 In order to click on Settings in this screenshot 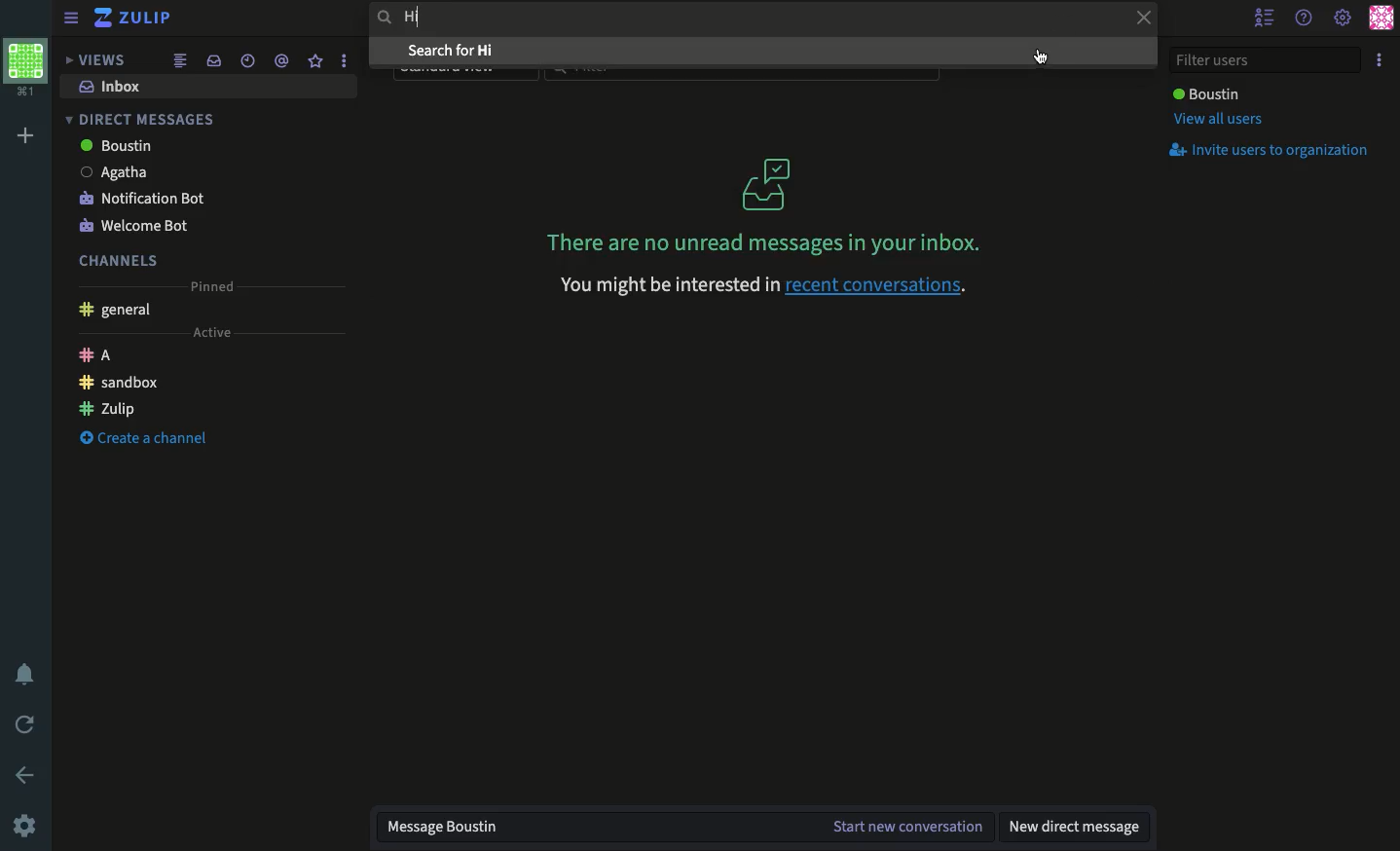, I will do `click(1344, 17)`.